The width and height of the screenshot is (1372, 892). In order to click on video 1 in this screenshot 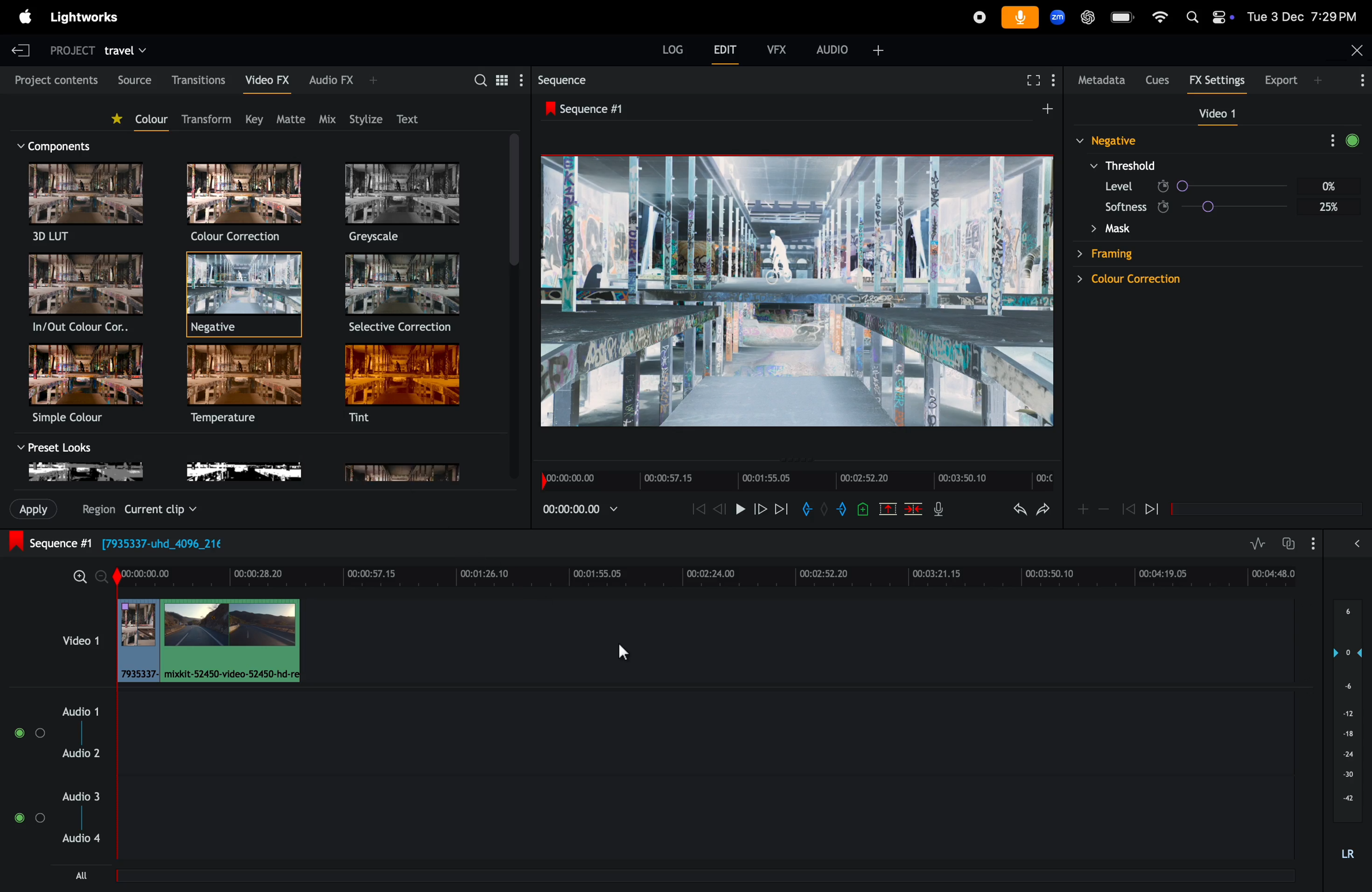, I will do `click(78, 639)`.